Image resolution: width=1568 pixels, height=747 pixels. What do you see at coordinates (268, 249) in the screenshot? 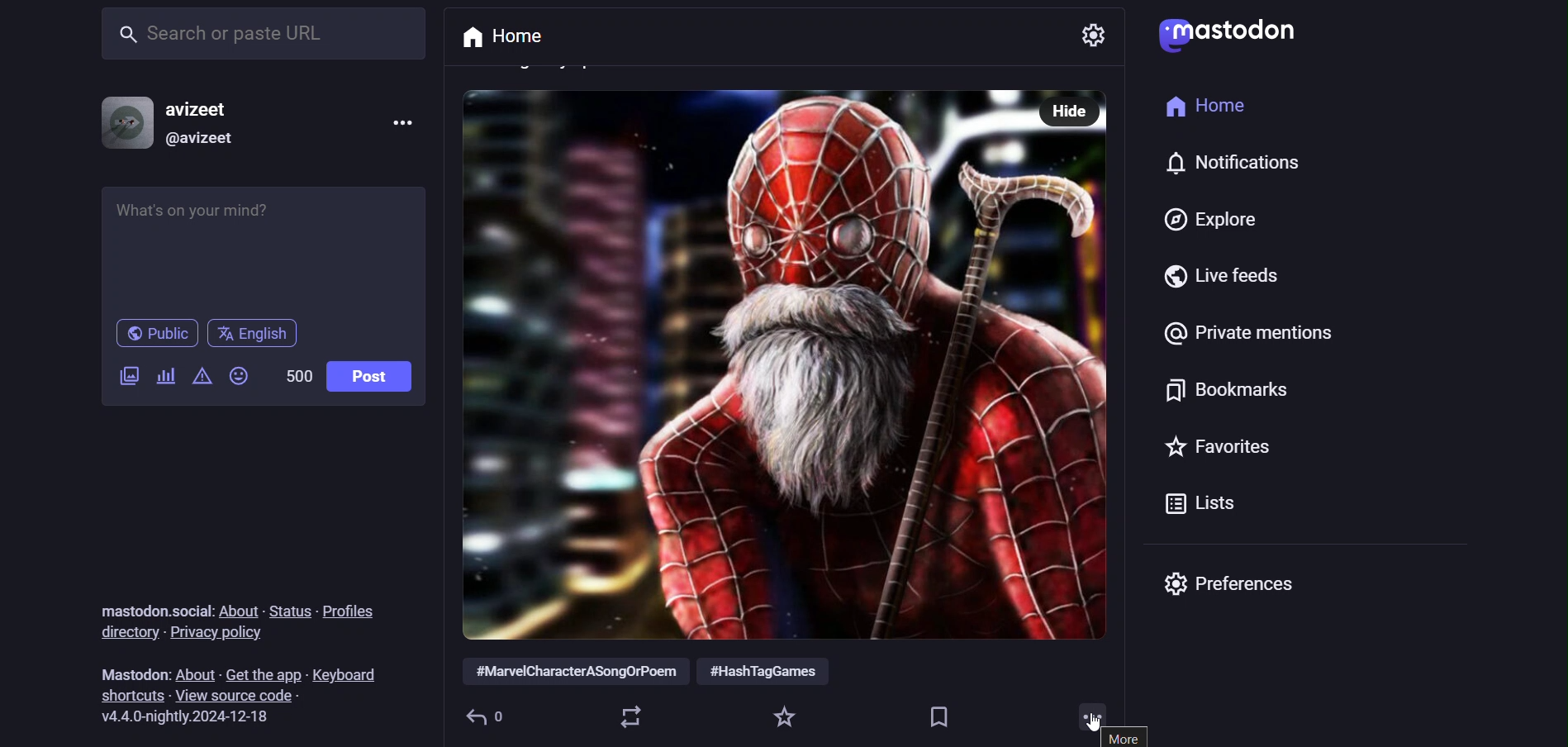
I see `whats on your mind` at bounding box center [268, 249].